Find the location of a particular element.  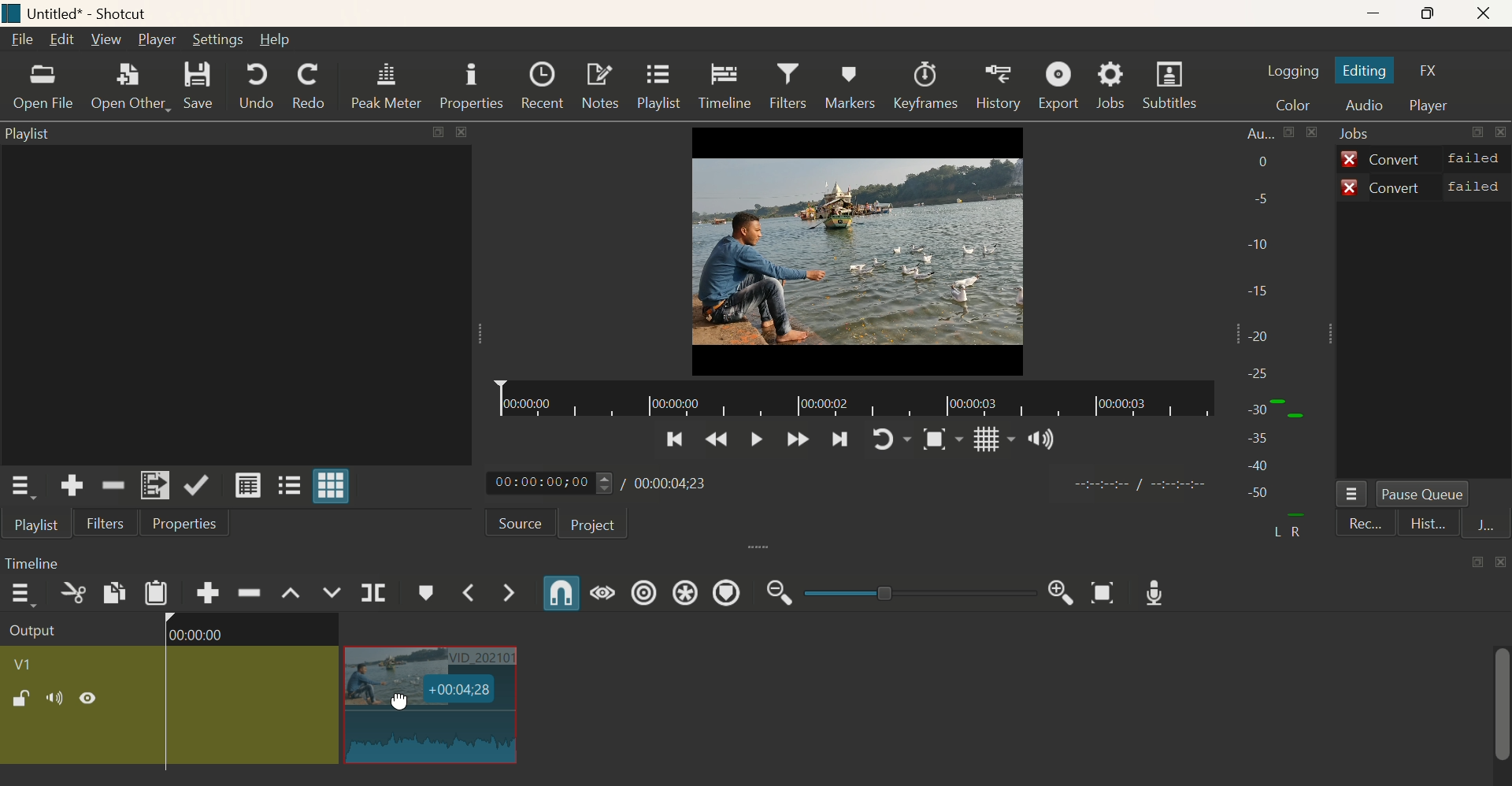

Append is located at coordinates (206, 592).